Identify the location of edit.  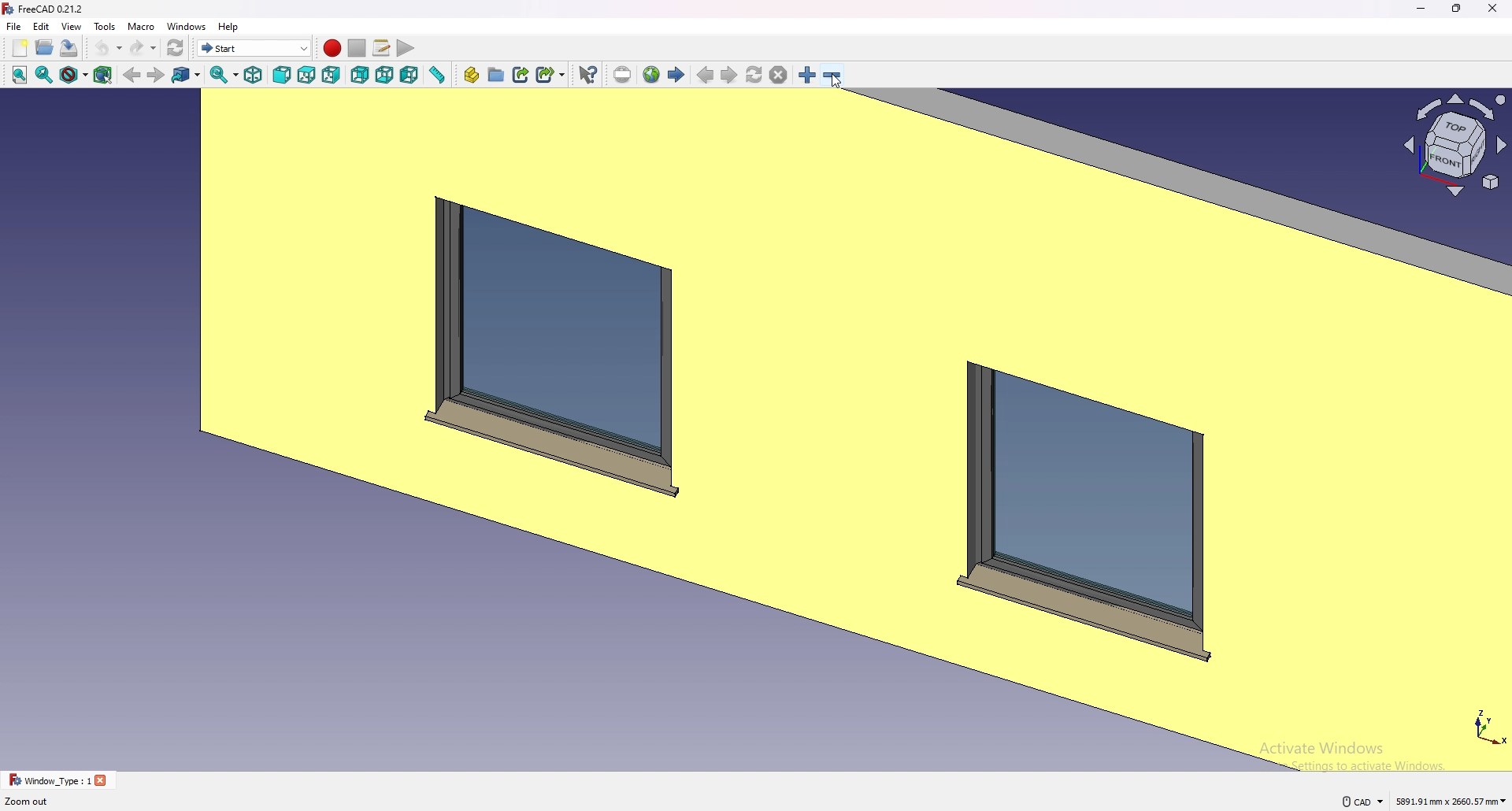
(43, 26).